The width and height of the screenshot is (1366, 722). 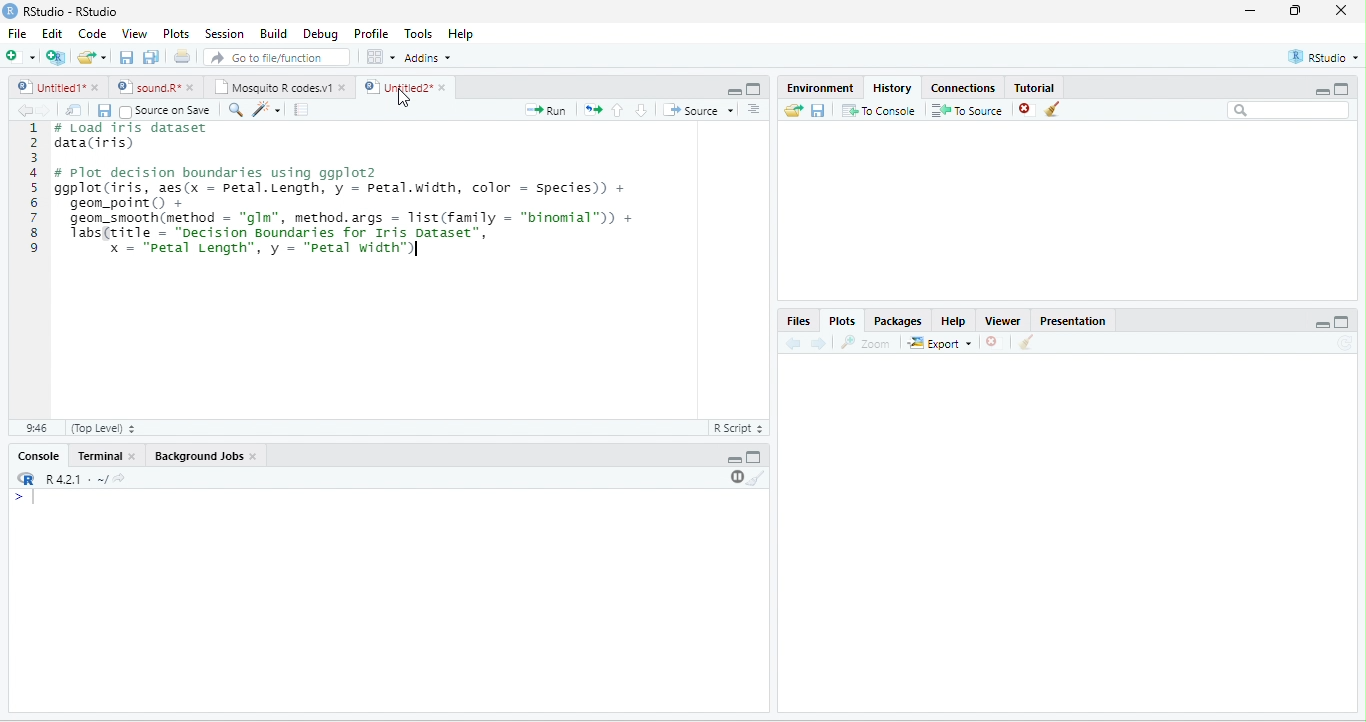 I want to click on minimize, so click(x=1321, y=92).